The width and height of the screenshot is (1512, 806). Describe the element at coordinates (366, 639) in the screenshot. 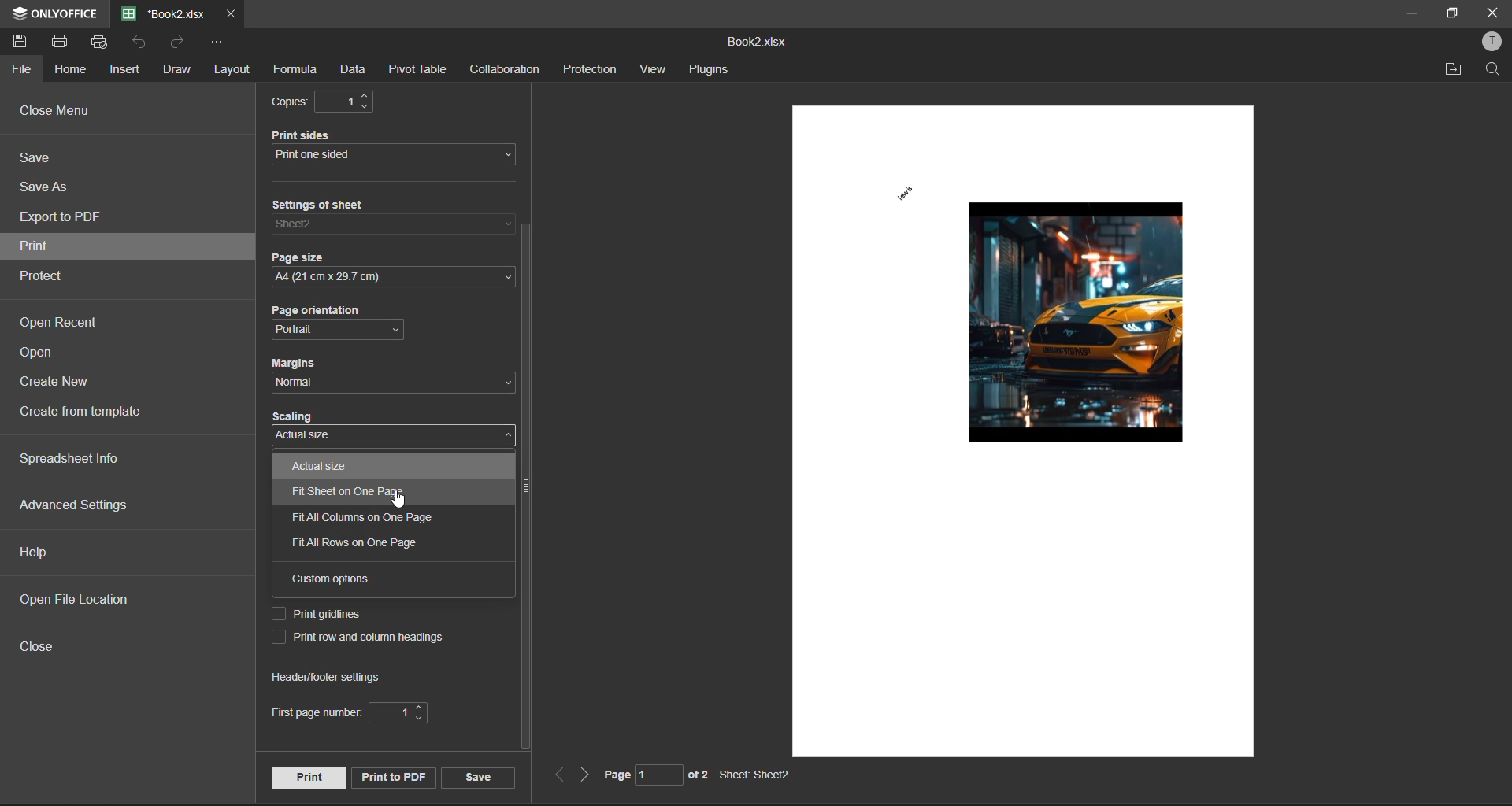

I see `print row and column headings` at that location.